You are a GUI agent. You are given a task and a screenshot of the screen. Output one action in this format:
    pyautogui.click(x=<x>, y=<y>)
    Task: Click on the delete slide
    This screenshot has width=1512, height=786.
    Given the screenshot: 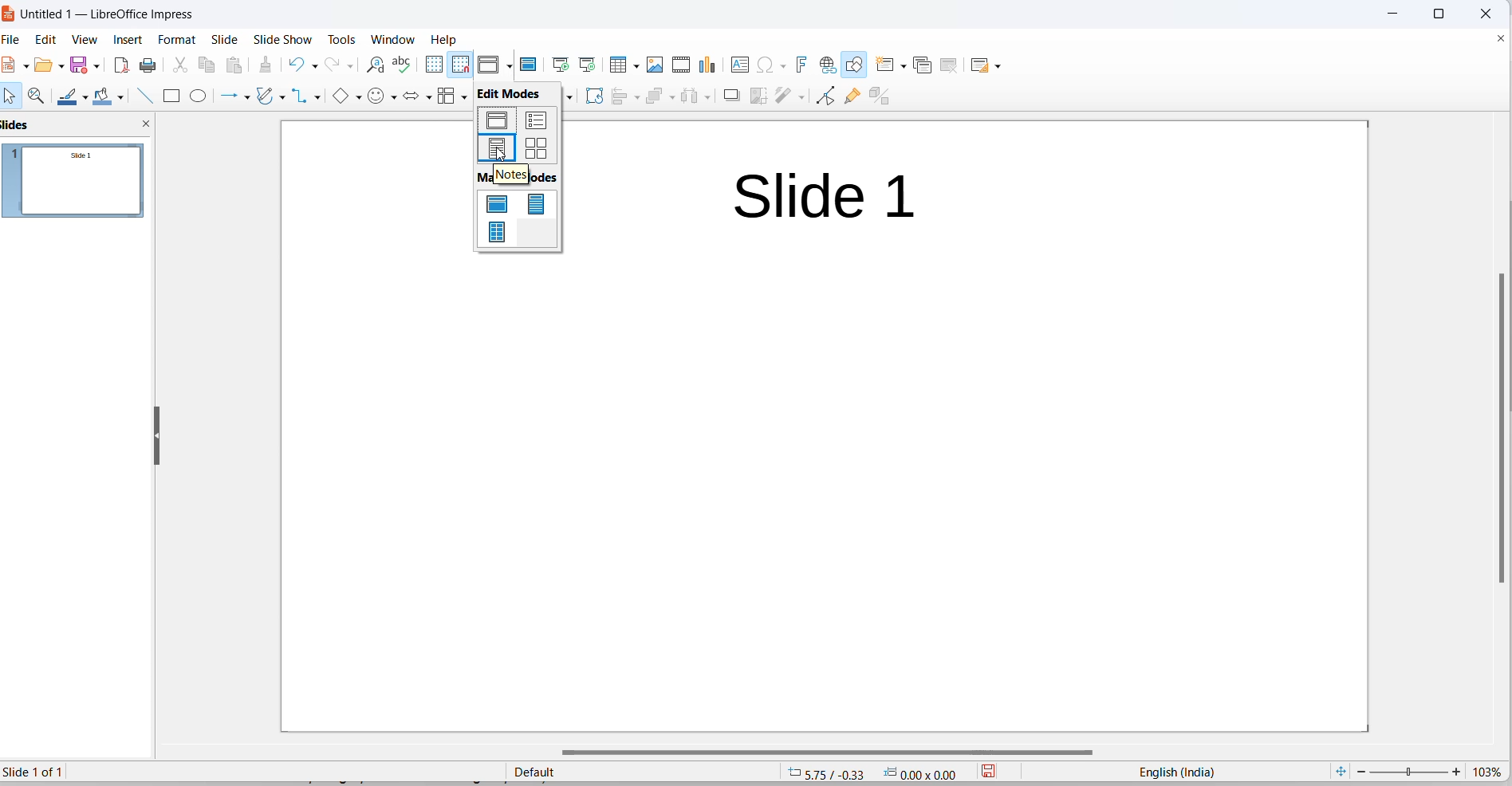 What is the action you would take?
    pyautogui.click(x=953, y=64)
    